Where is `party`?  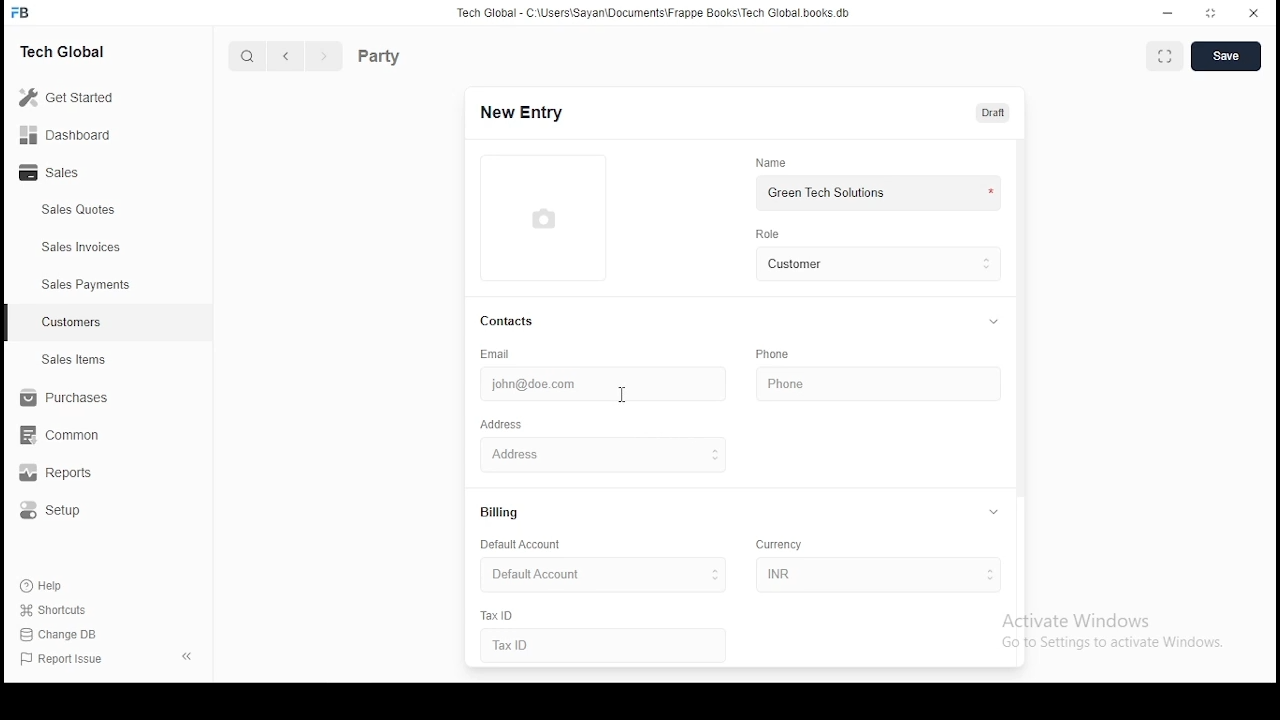 party is located at coordinates (411, 54).